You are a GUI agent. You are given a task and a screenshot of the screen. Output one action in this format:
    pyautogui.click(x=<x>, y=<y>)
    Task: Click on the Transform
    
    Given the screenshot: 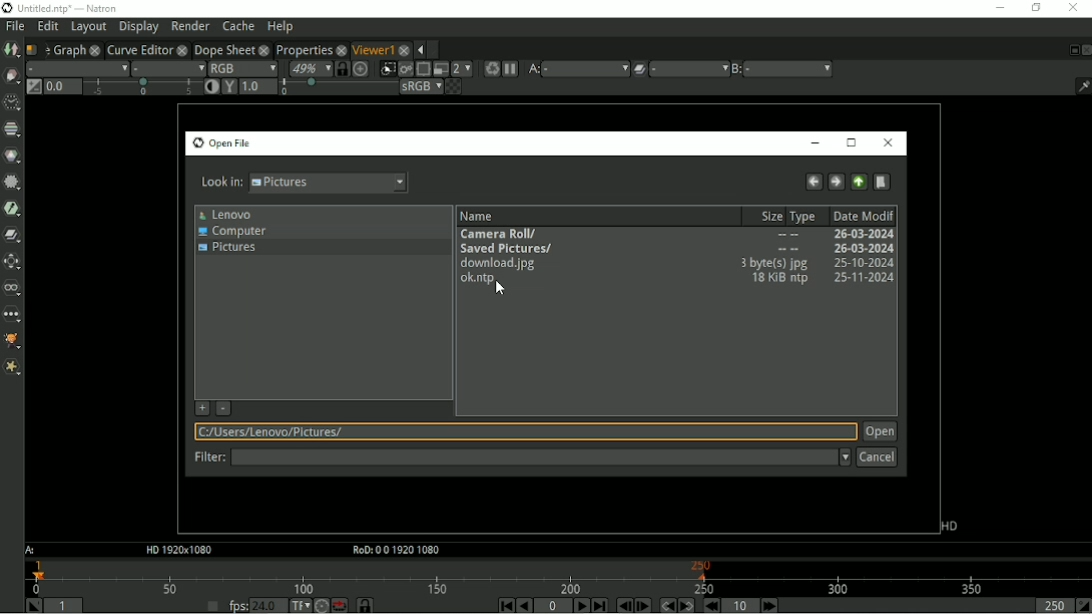 What is the action you would take?
    pyautogui.click(x=14, y=261)
    